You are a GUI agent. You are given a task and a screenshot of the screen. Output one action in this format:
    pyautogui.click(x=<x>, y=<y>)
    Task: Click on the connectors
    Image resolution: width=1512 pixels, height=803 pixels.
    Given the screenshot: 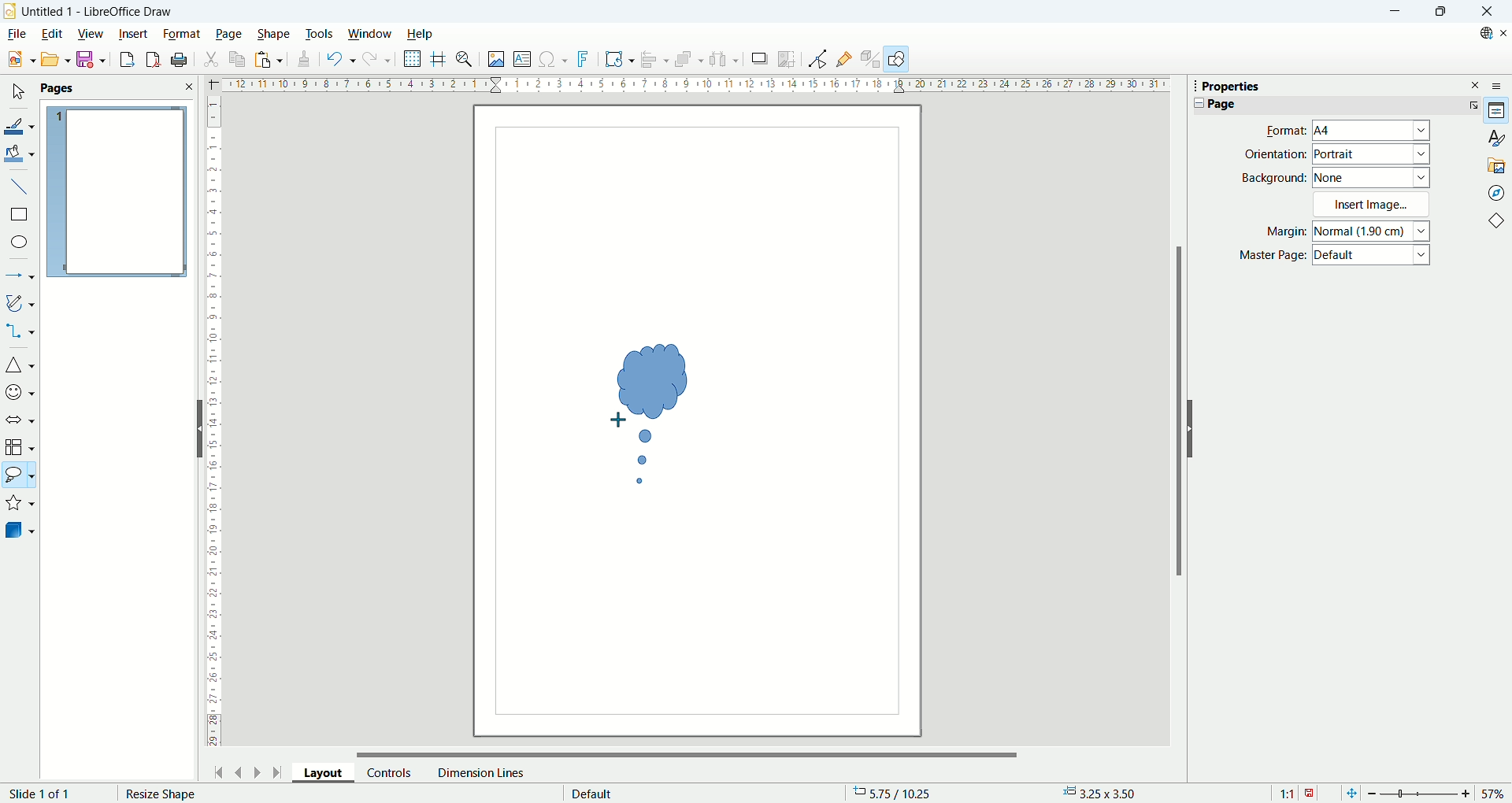 What is the action you would take?
    pyautogui.click(x=20, y=332)
    